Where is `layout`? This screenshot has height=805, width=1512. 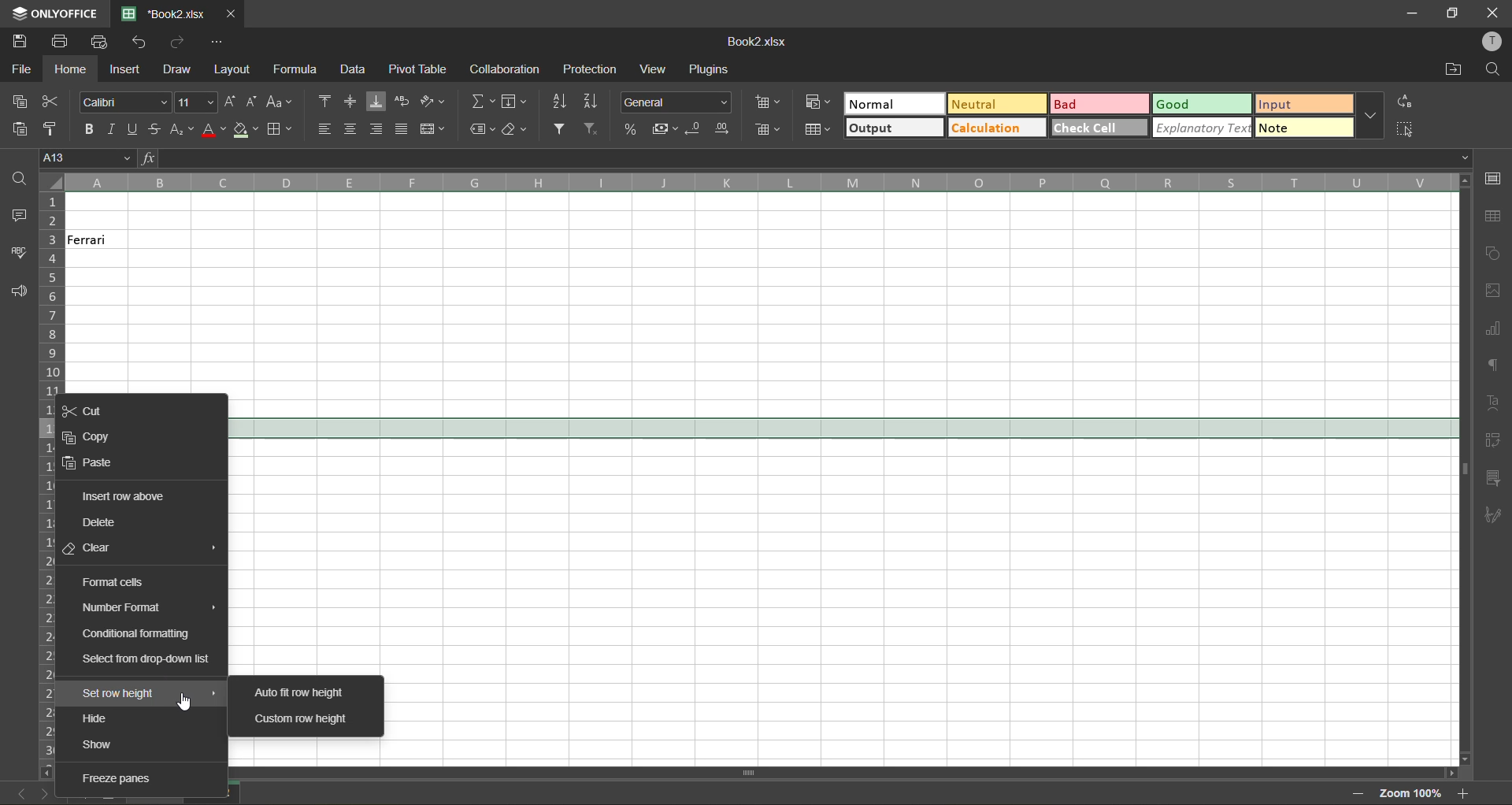
layout is located at coordinates (231, 70).